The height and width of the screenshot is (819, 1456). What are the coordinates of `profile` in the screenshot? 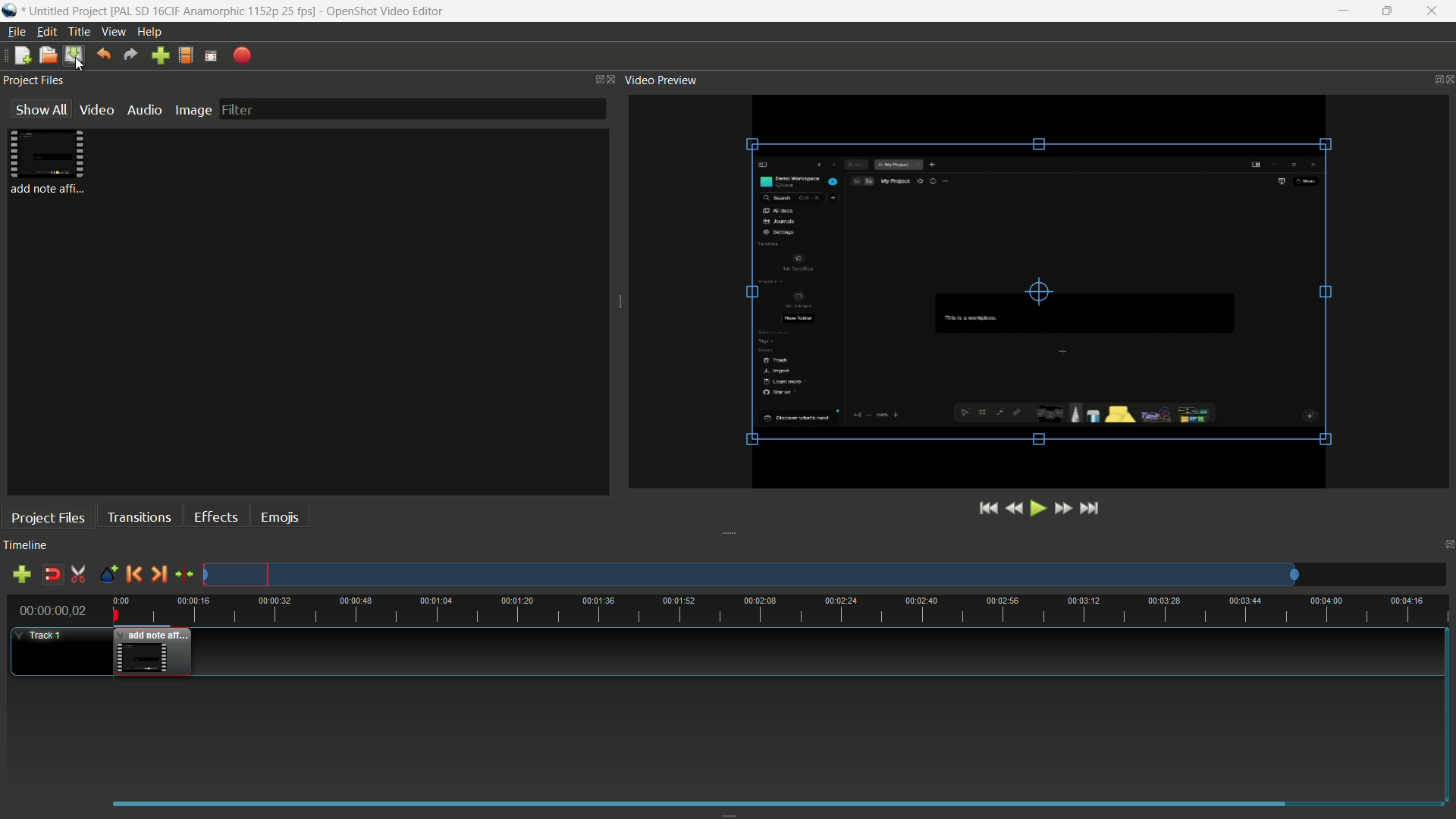 It's located at (184, 55).